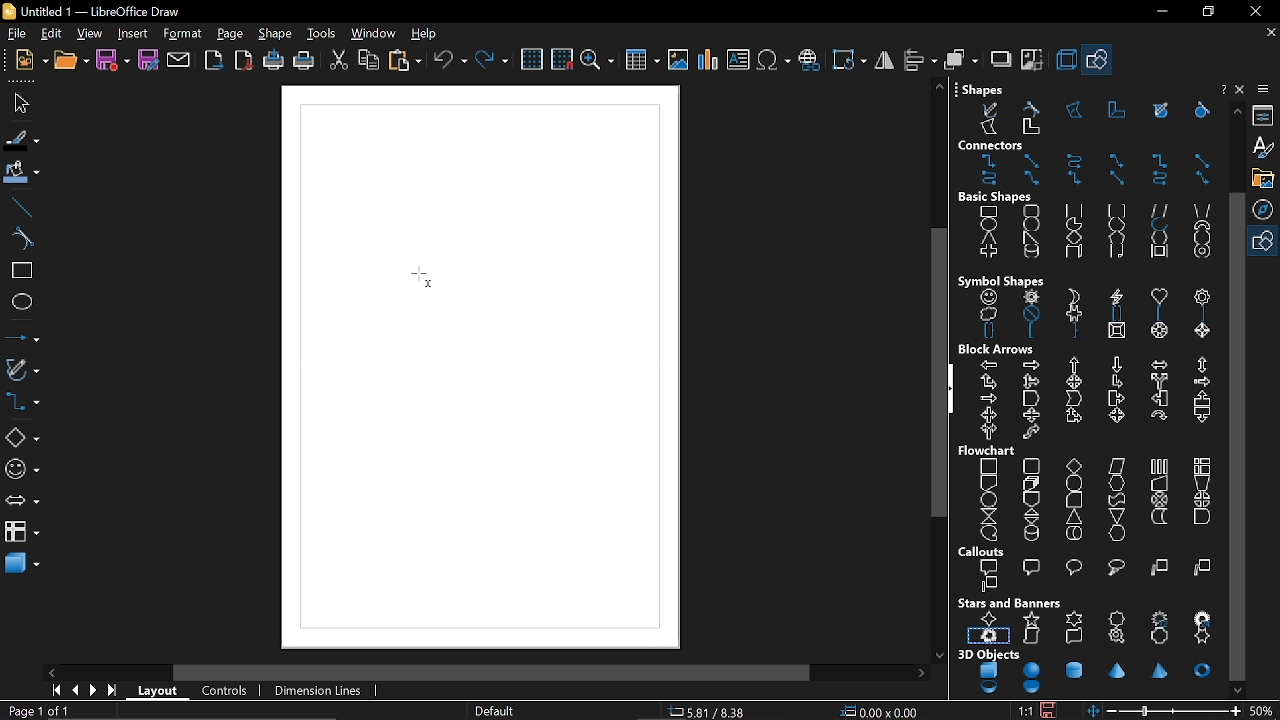  I want to click on Basic shapes, so click(1265, 242).